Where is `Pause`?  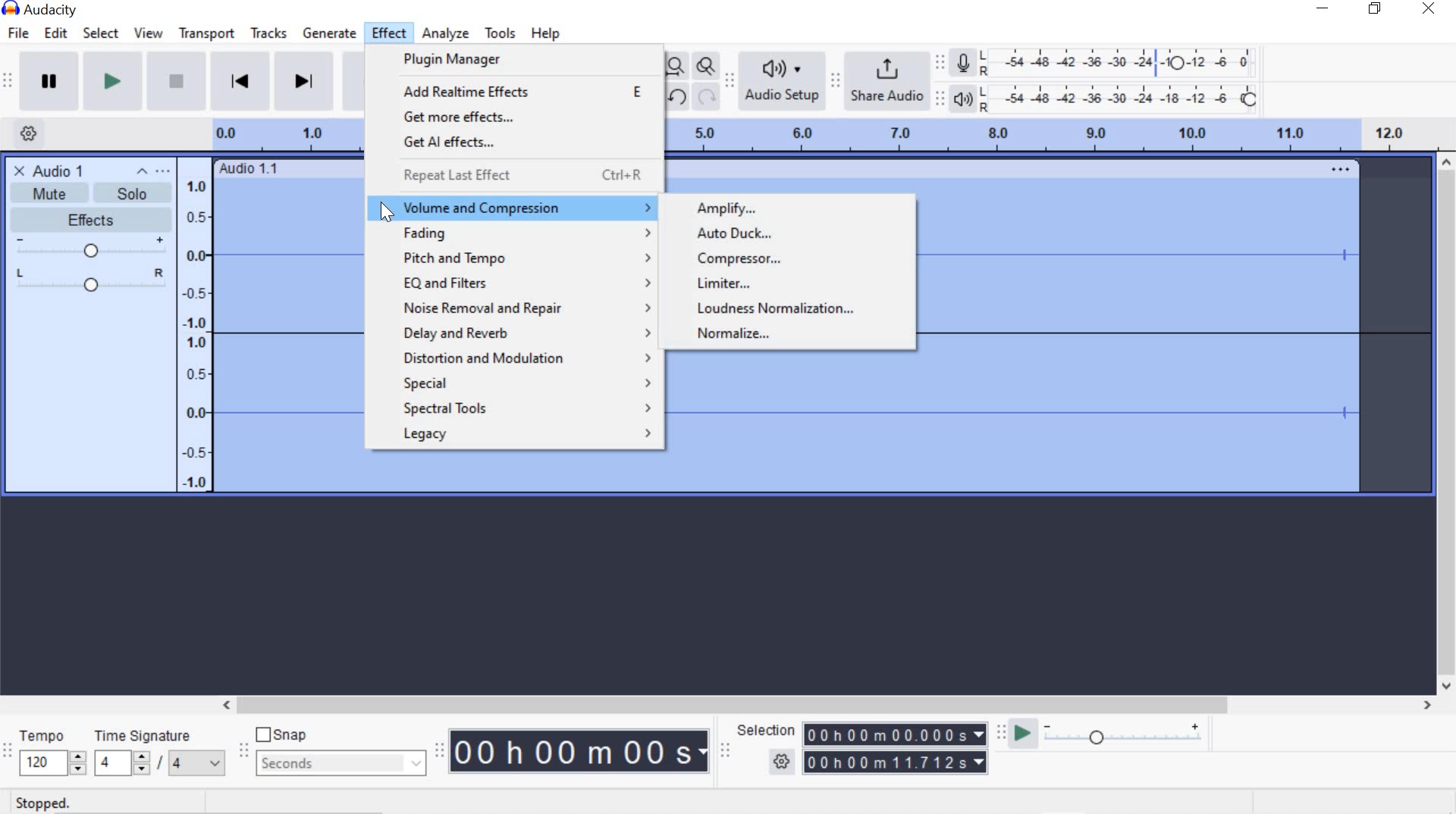 Pause is located at coordinates (50, 81).